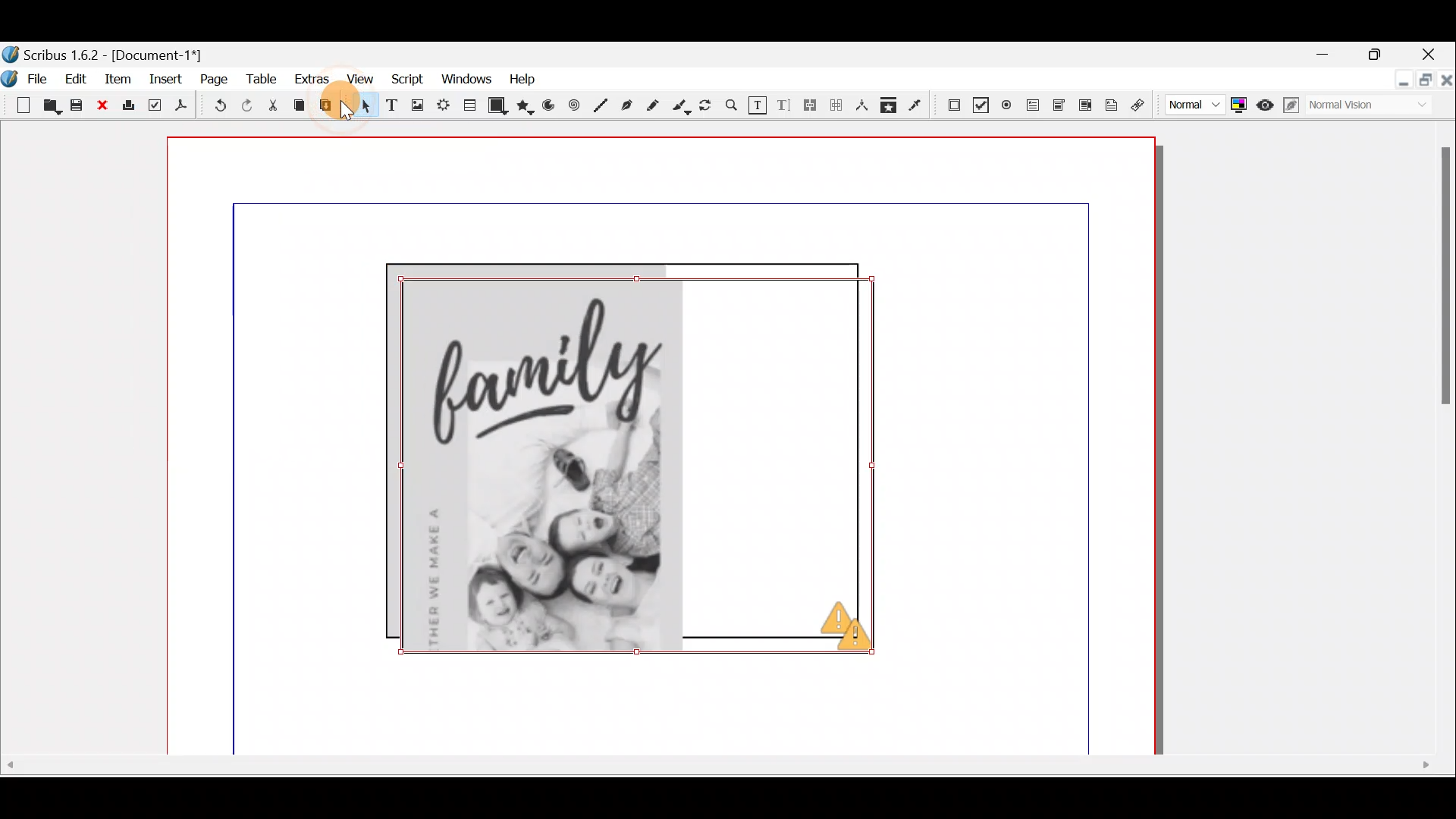 The width and height of the screenshot is (1456, 819). What do you see at coordinates (553, 108) in the screenshot?
I see `Arc` at bounding box center [553, 108].